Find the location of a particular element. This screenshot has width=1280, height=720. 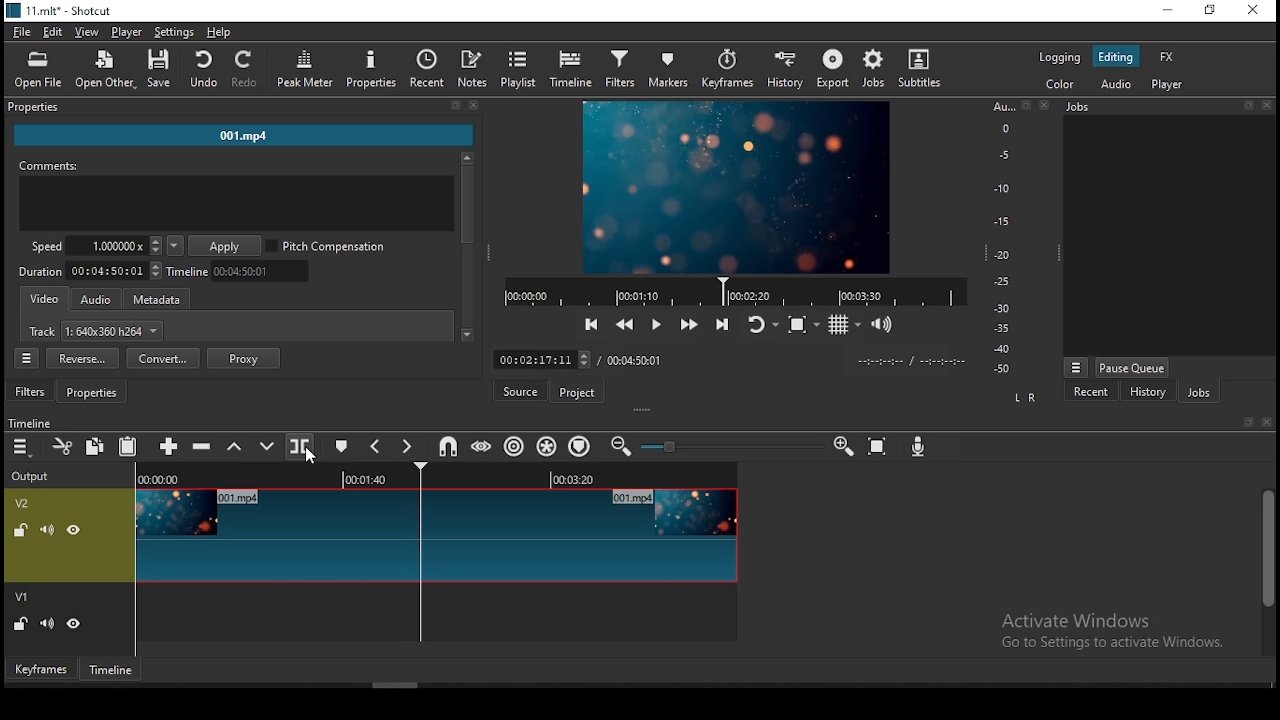

playback speed presets is located at coordinates (174, 246).